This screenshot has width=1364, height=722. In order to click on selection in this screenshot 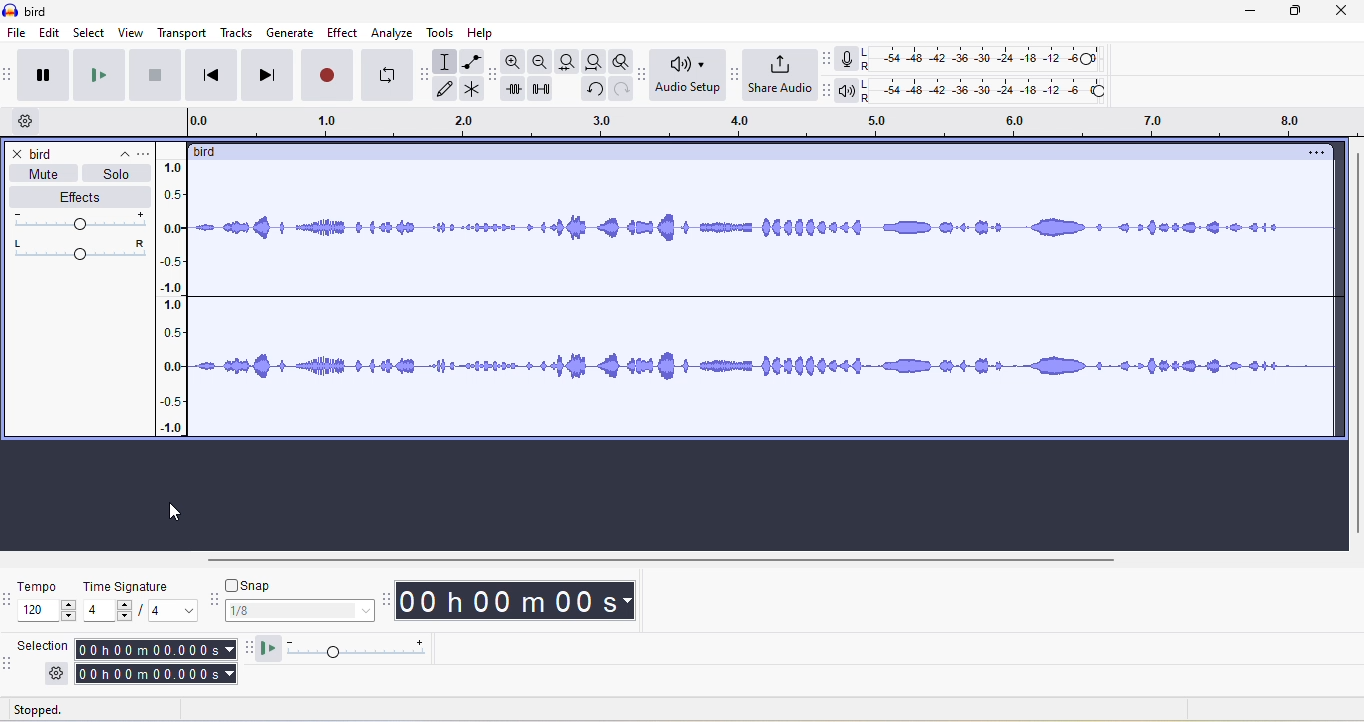, I will do `click(44, 645)`.